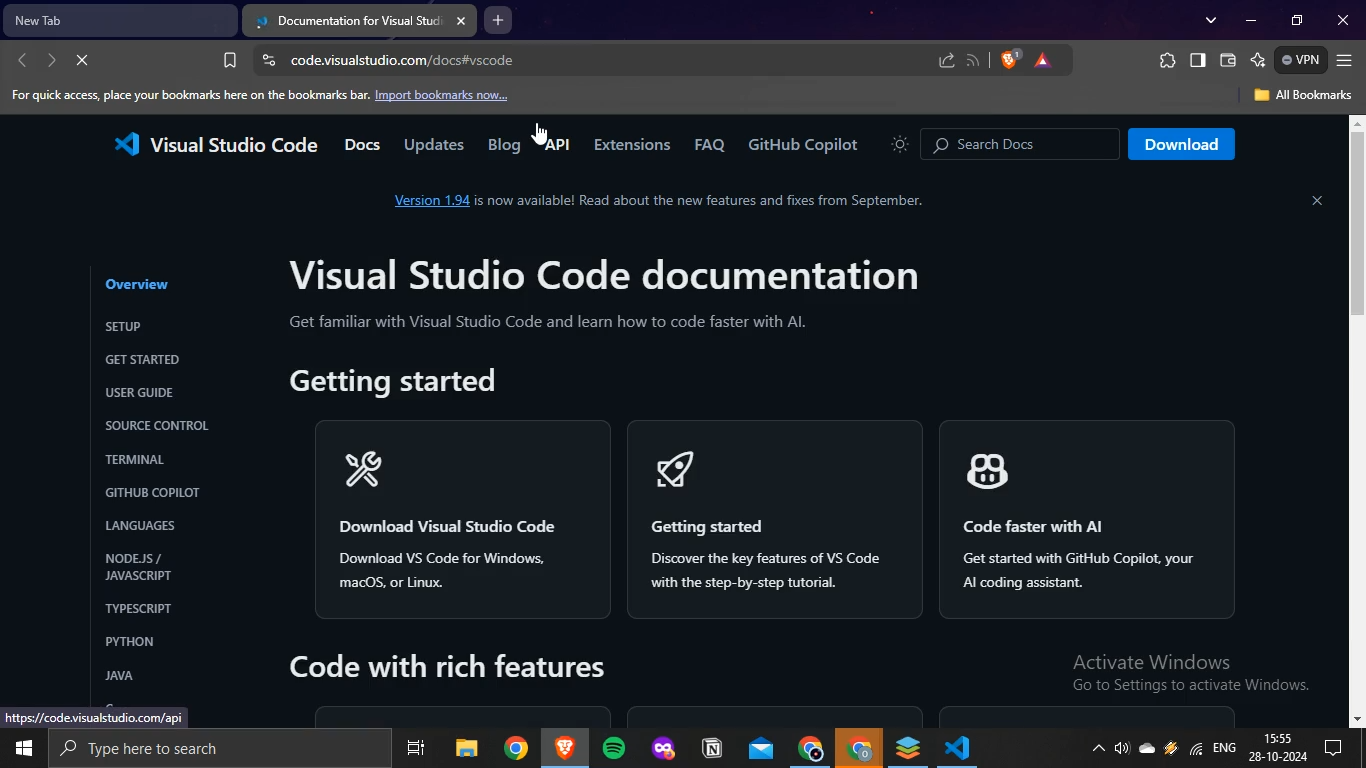  What do you see at coordinates (421, 750) in the screenshot?
I see `task view` at bounding box center [421, 750].